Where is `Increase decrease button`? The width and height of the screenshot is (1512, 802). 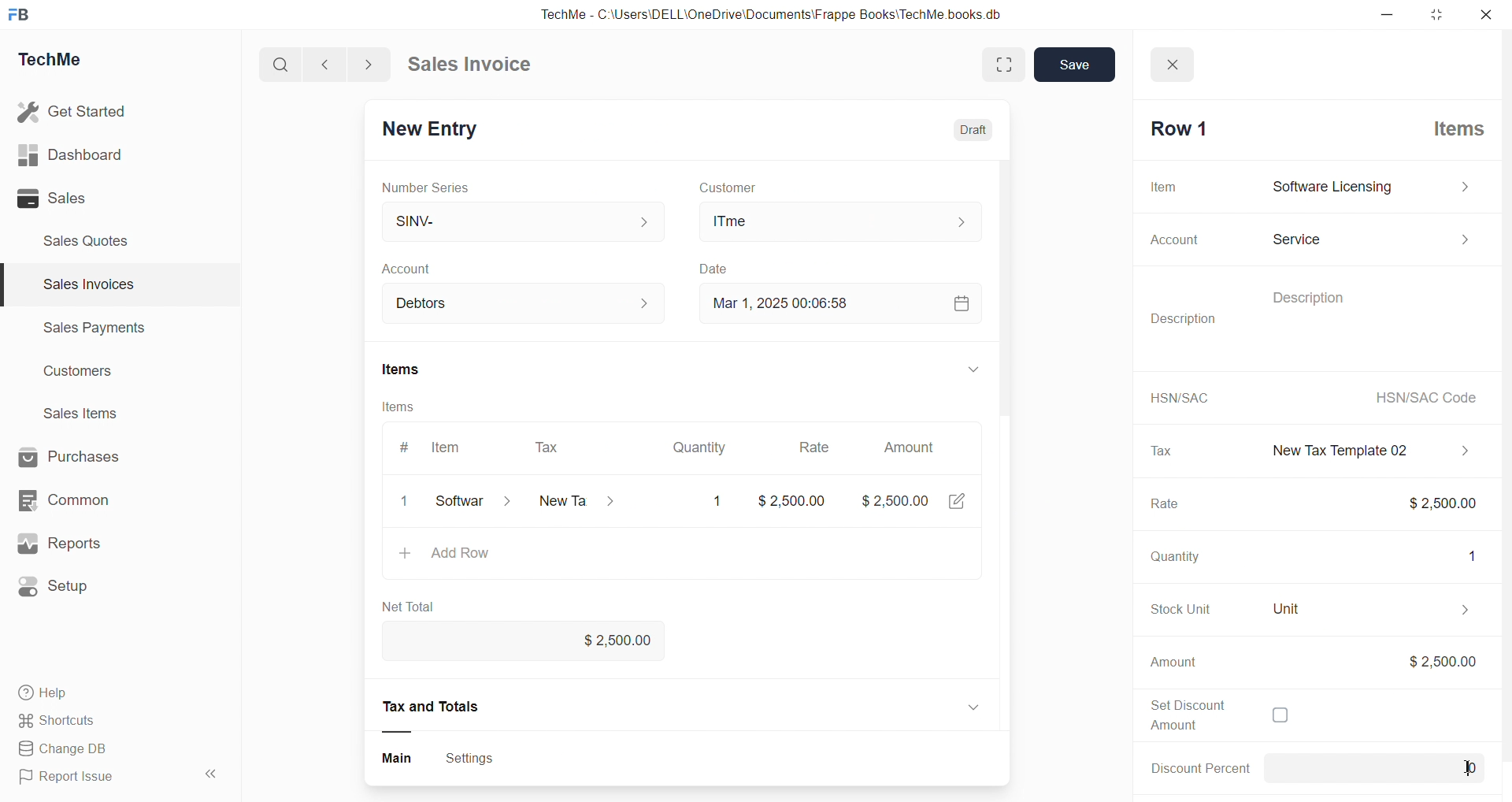 Increase decrease button is located at coordinates (644, 302).